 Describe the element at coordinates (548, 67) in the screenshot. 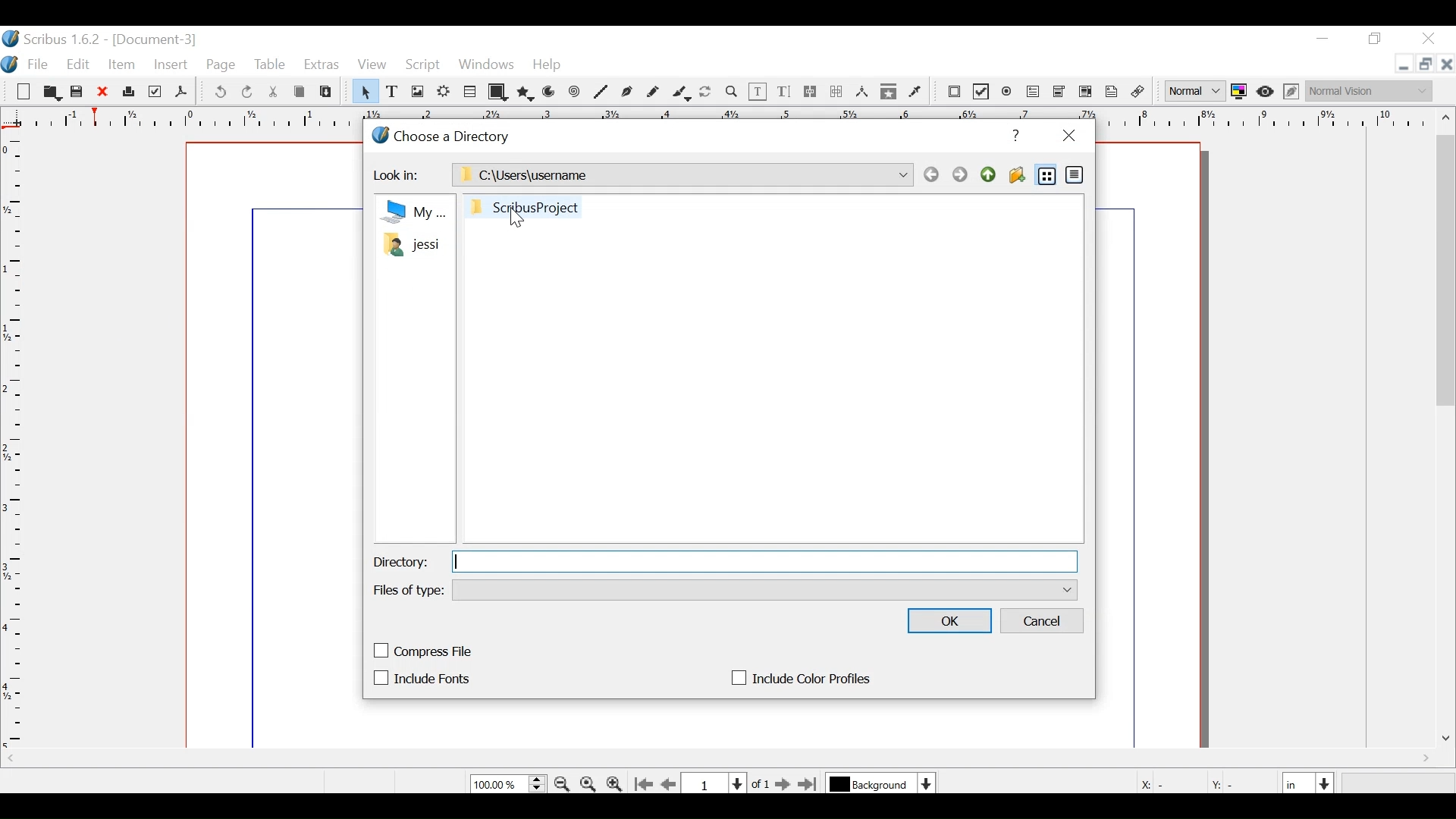

I see `Help` at that location.